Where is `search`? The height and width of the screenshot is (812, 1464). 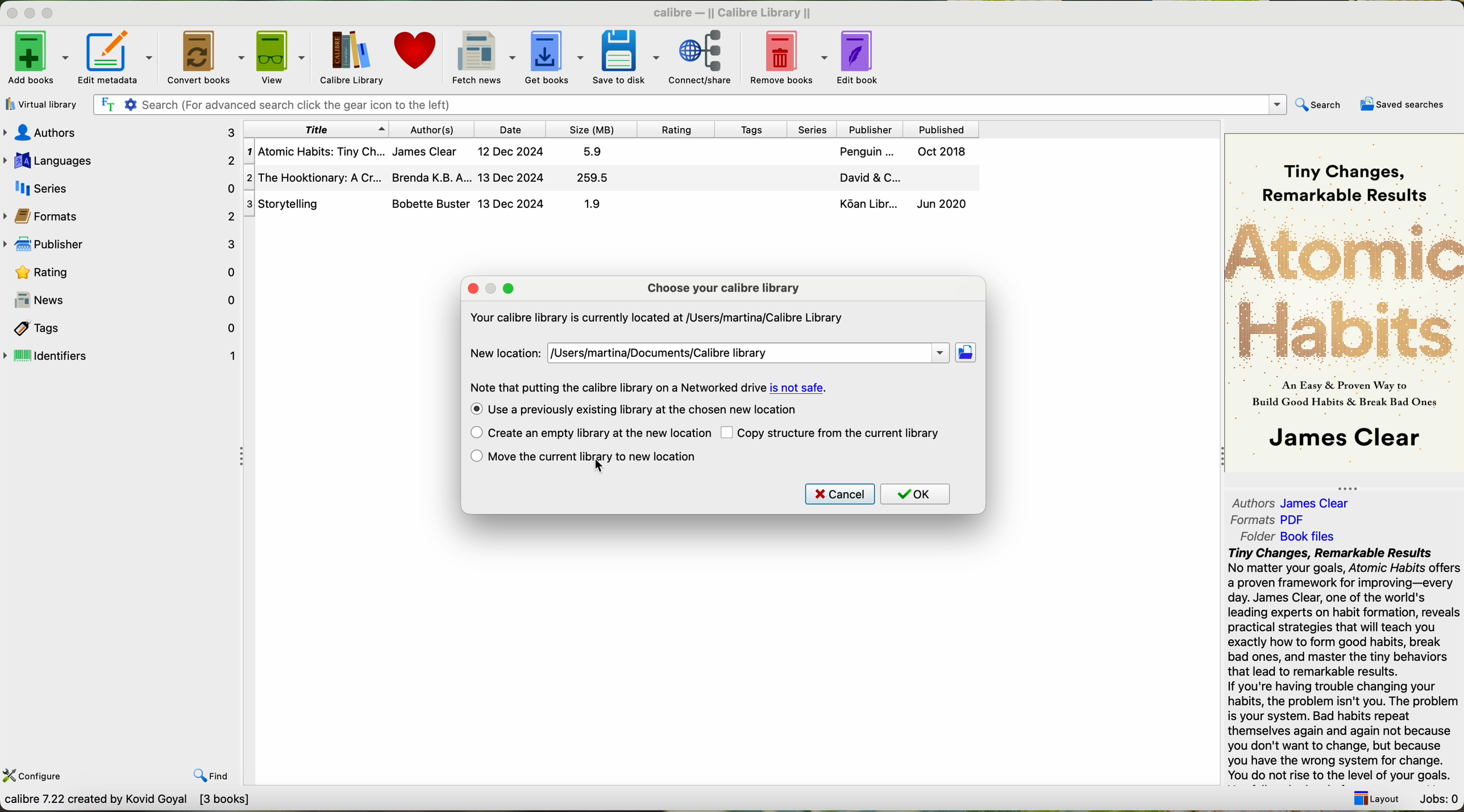
search is located at coordinates (1320, 105).